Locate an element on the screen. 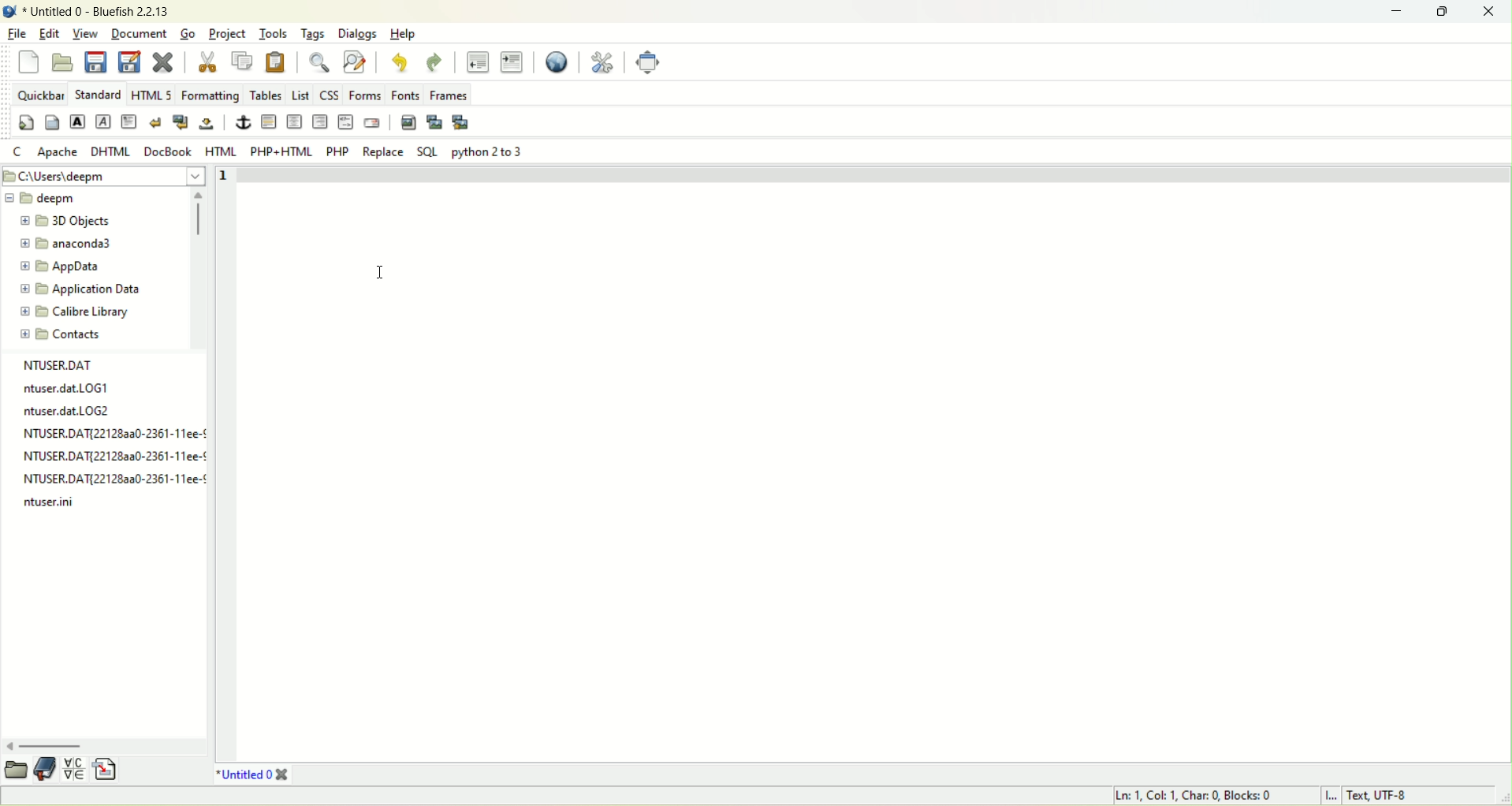 The image size is (1512, 806). break and clear is located at coordinates (181, 121).